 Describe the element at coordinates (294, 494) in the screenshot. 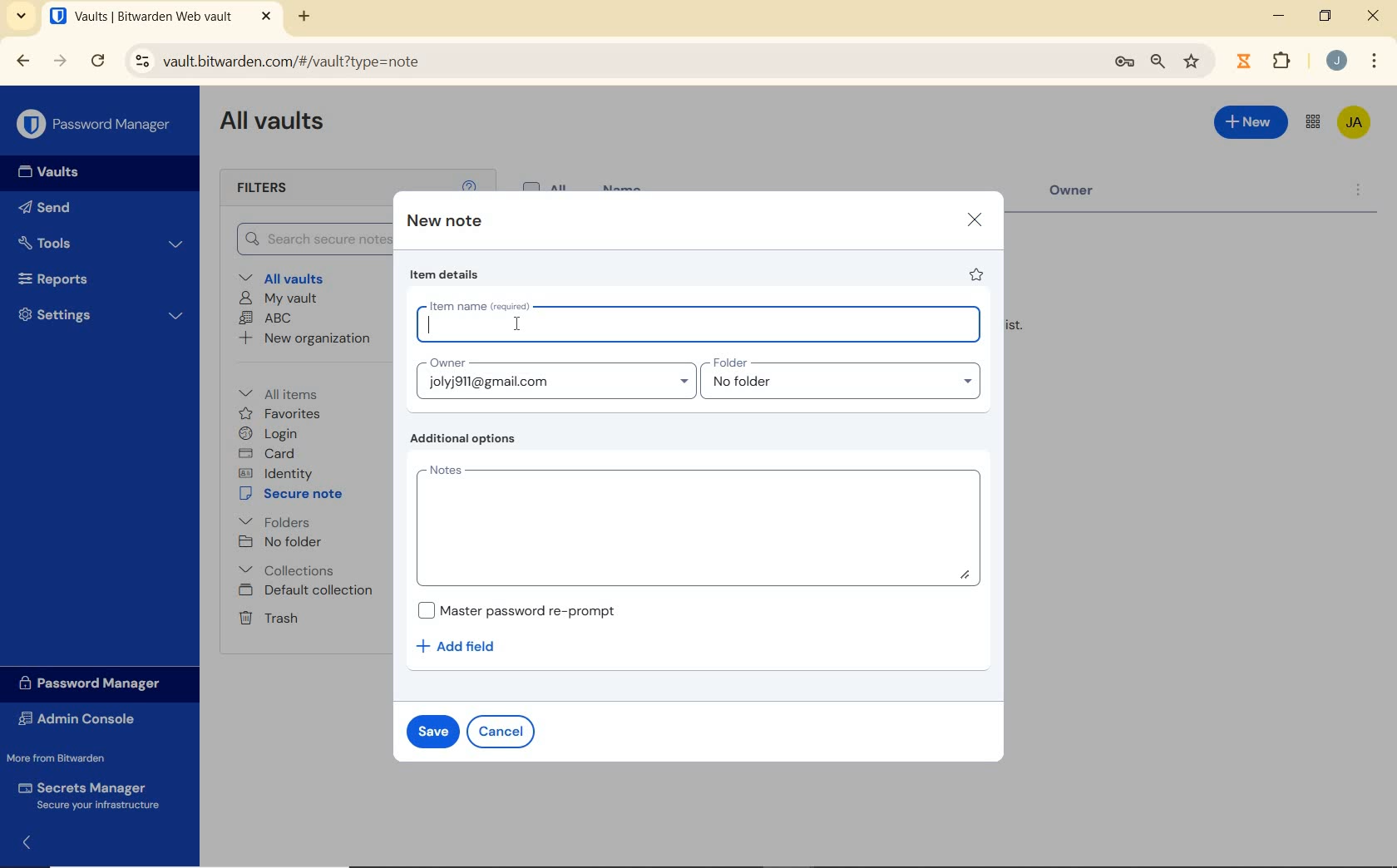

I see `secure note` at that location.